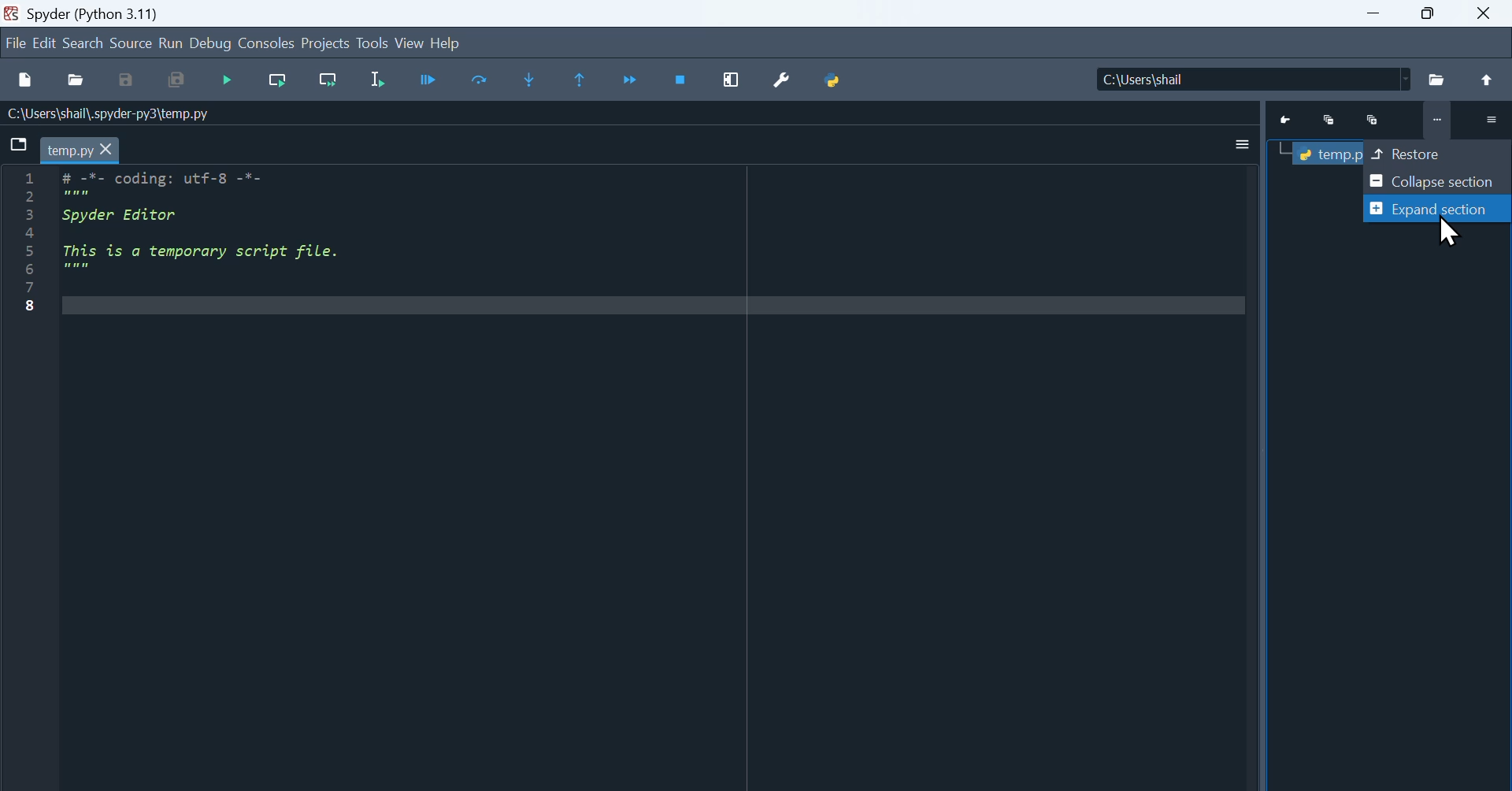 This screenshot has width=1512, height=791. I want to click on cursor, so click(109, 150).